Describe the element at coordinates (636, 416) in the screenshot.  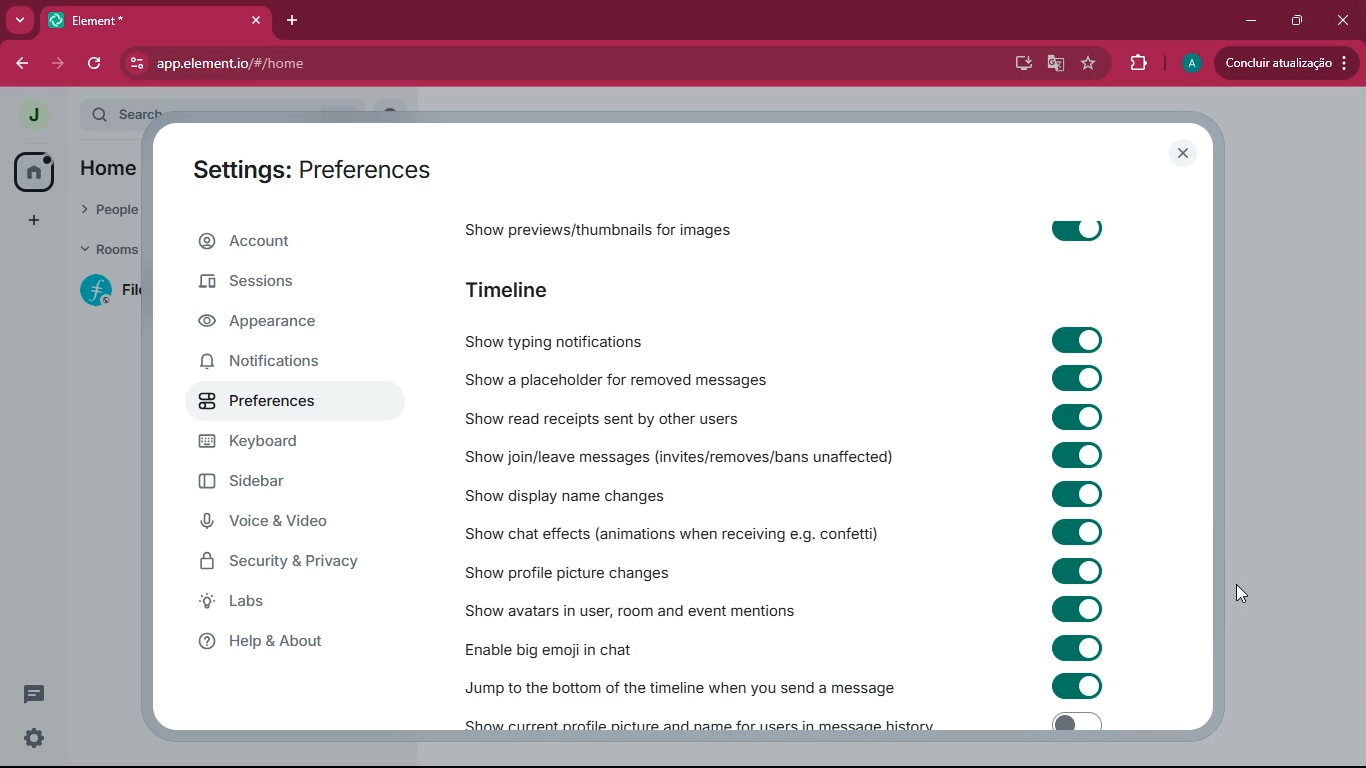
I see `show read receipts sent by other users` at that location.